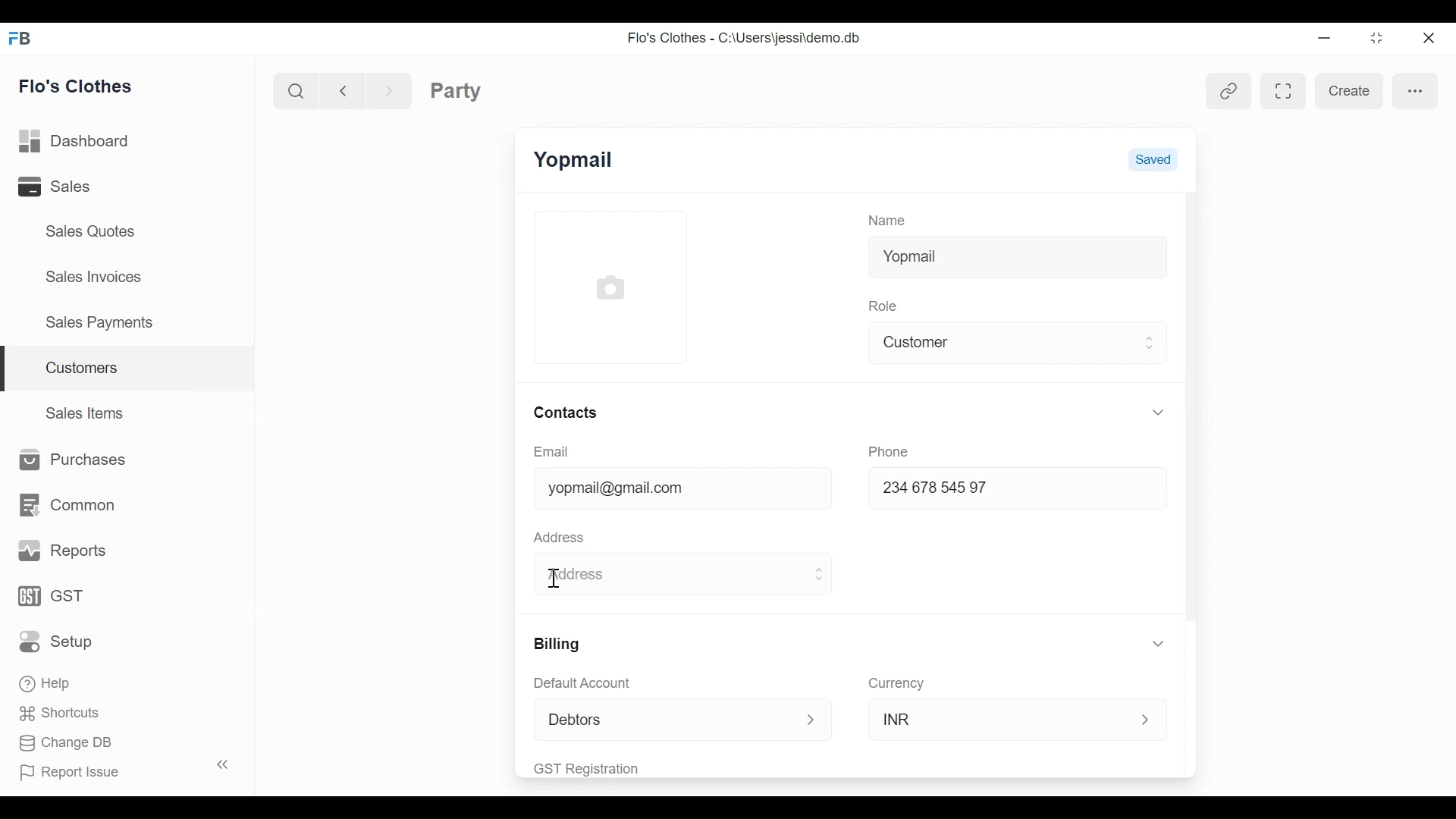 The image size is (1456, 819). Describe the element at coordinates (1194, 407) in the screenshot. I see `Vertical Scroll bar` at that location.